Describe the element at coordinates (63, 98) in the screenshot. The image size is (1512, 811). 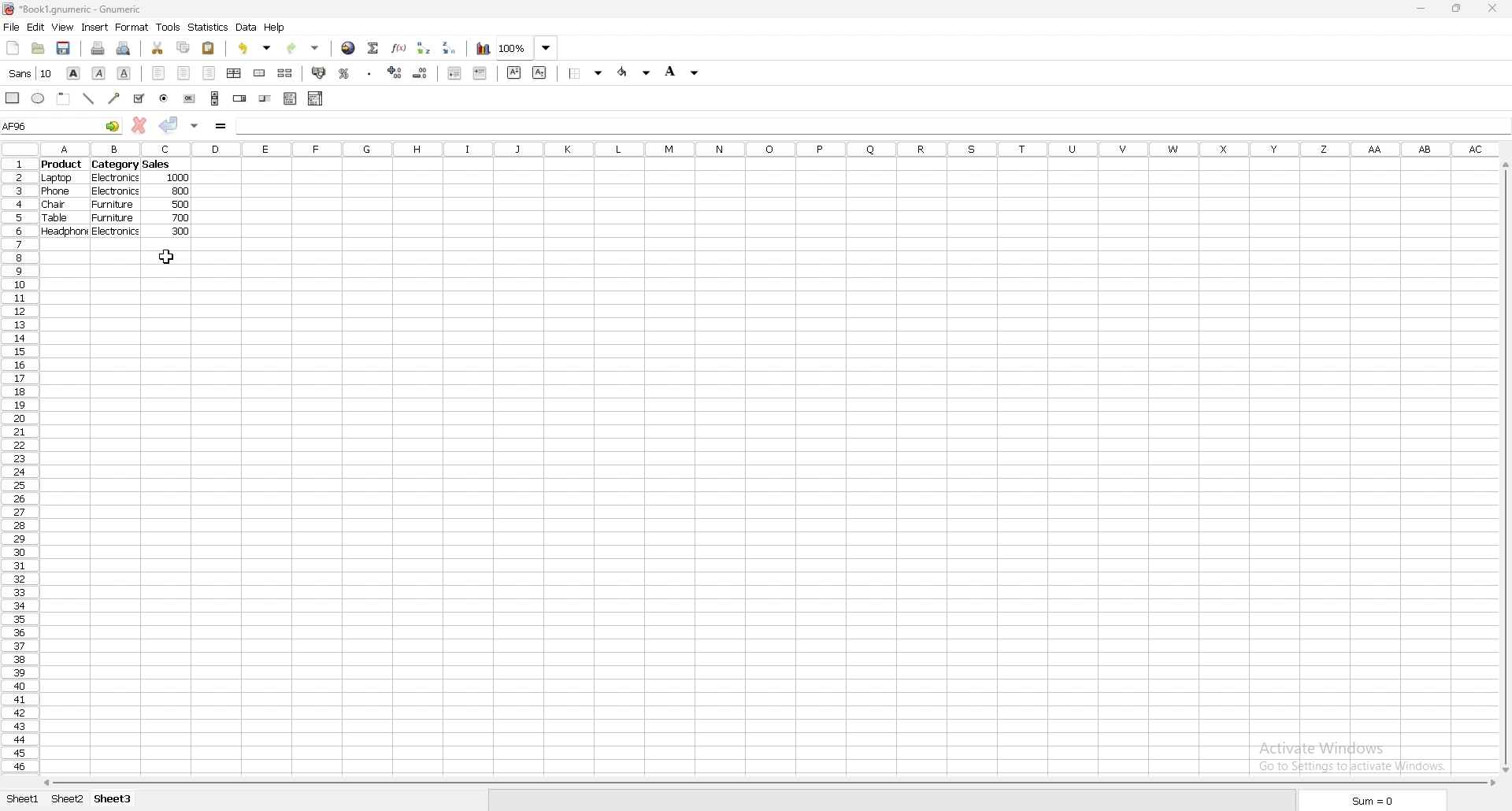
I see `frame` at that location.